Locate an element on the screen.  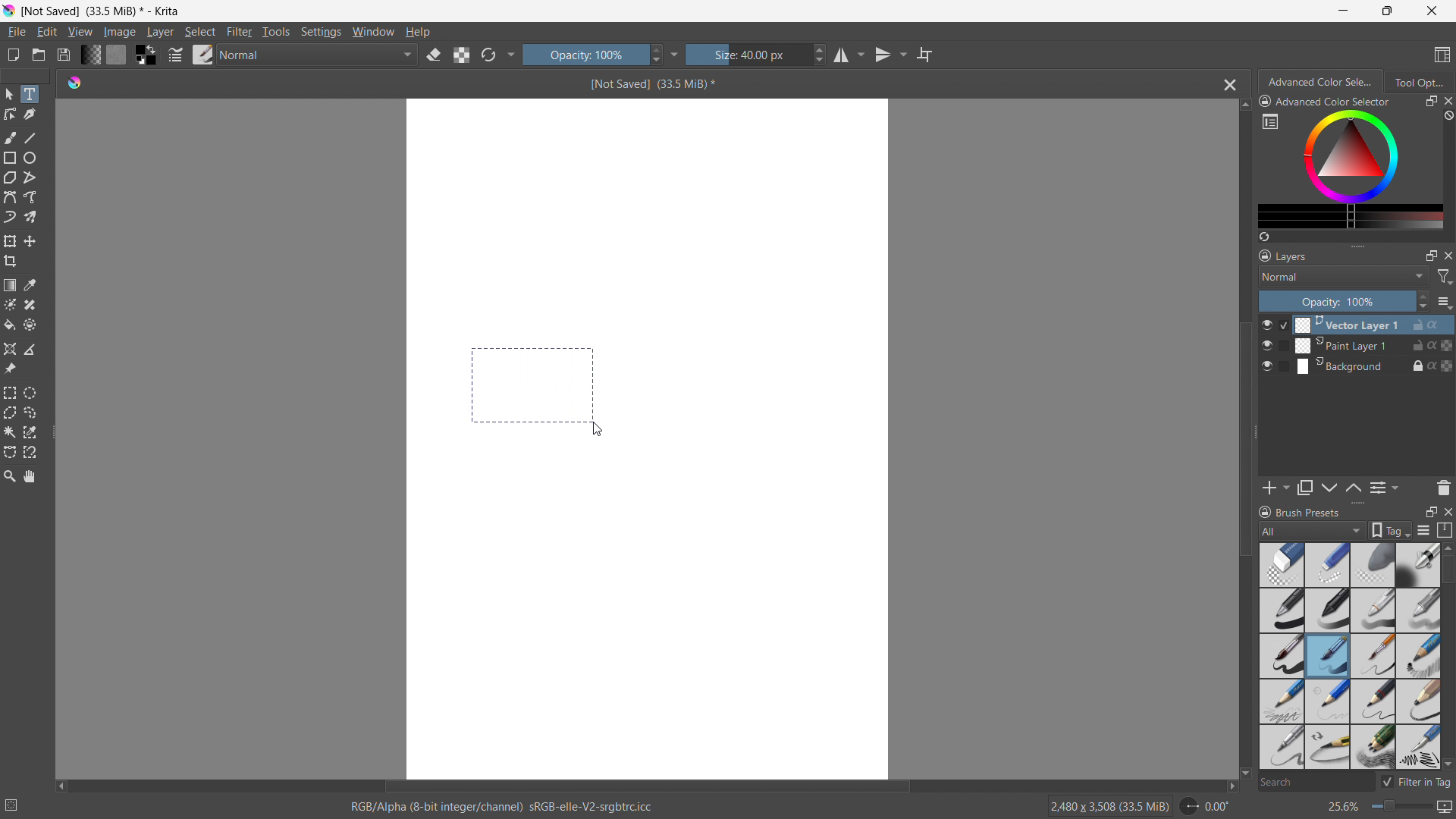
colorize mask tool is located at coordinates (10, 304).